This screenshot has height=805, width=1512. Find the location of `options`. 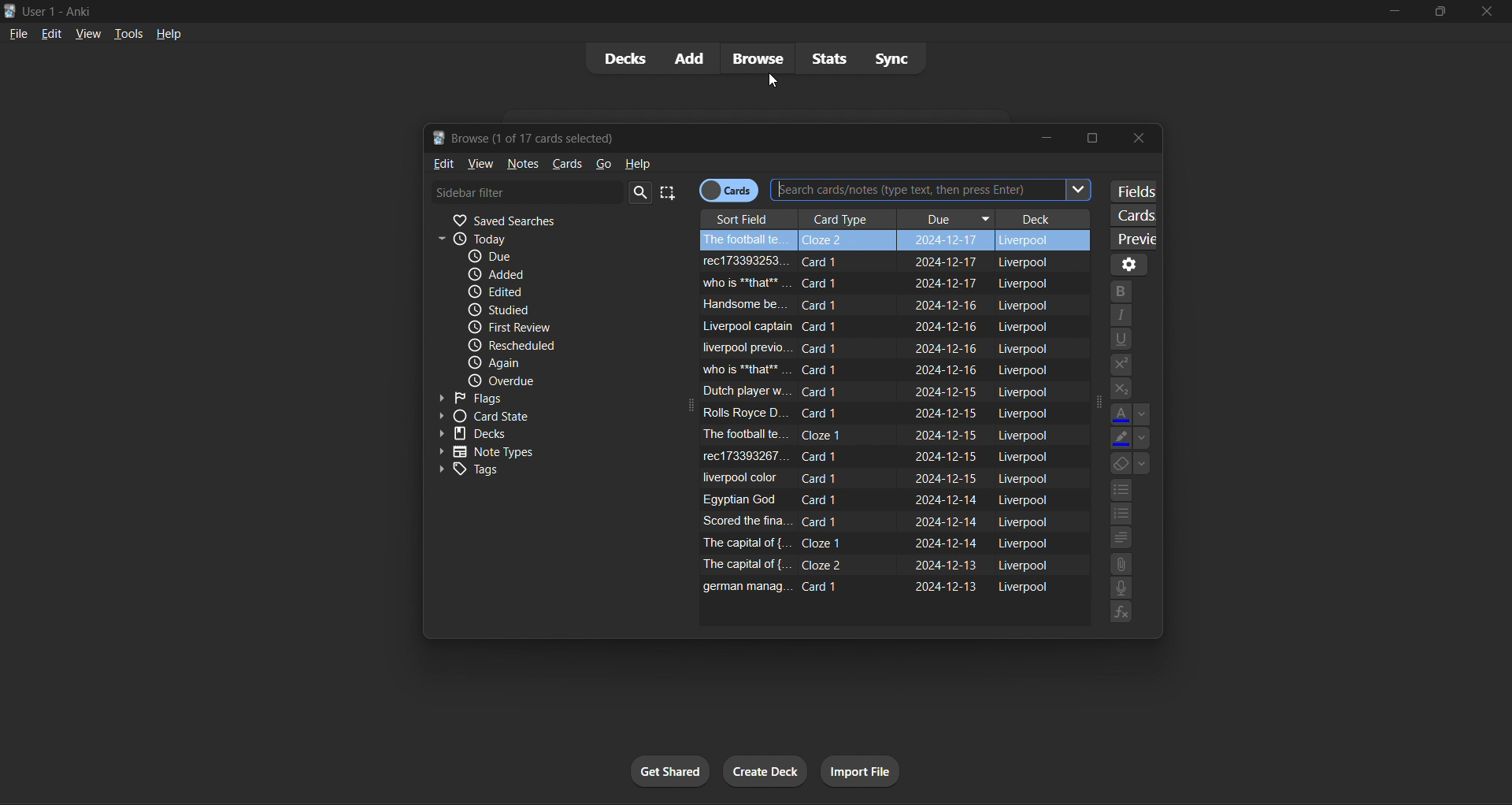

options is located at coordinates (1145, 415).